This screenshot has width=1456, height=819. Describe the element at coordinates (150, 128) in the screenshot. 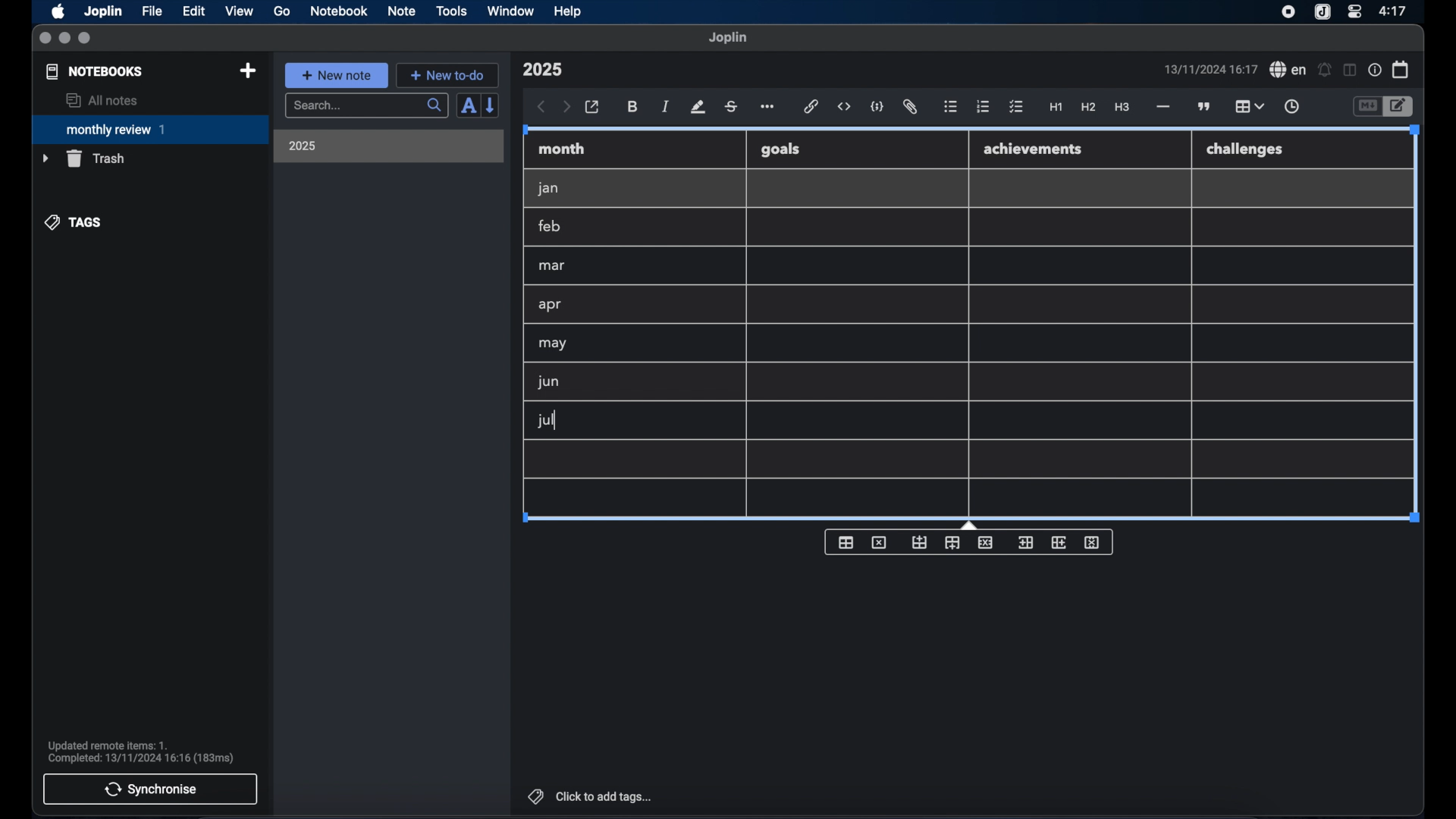

I see `monthly review` at that location.